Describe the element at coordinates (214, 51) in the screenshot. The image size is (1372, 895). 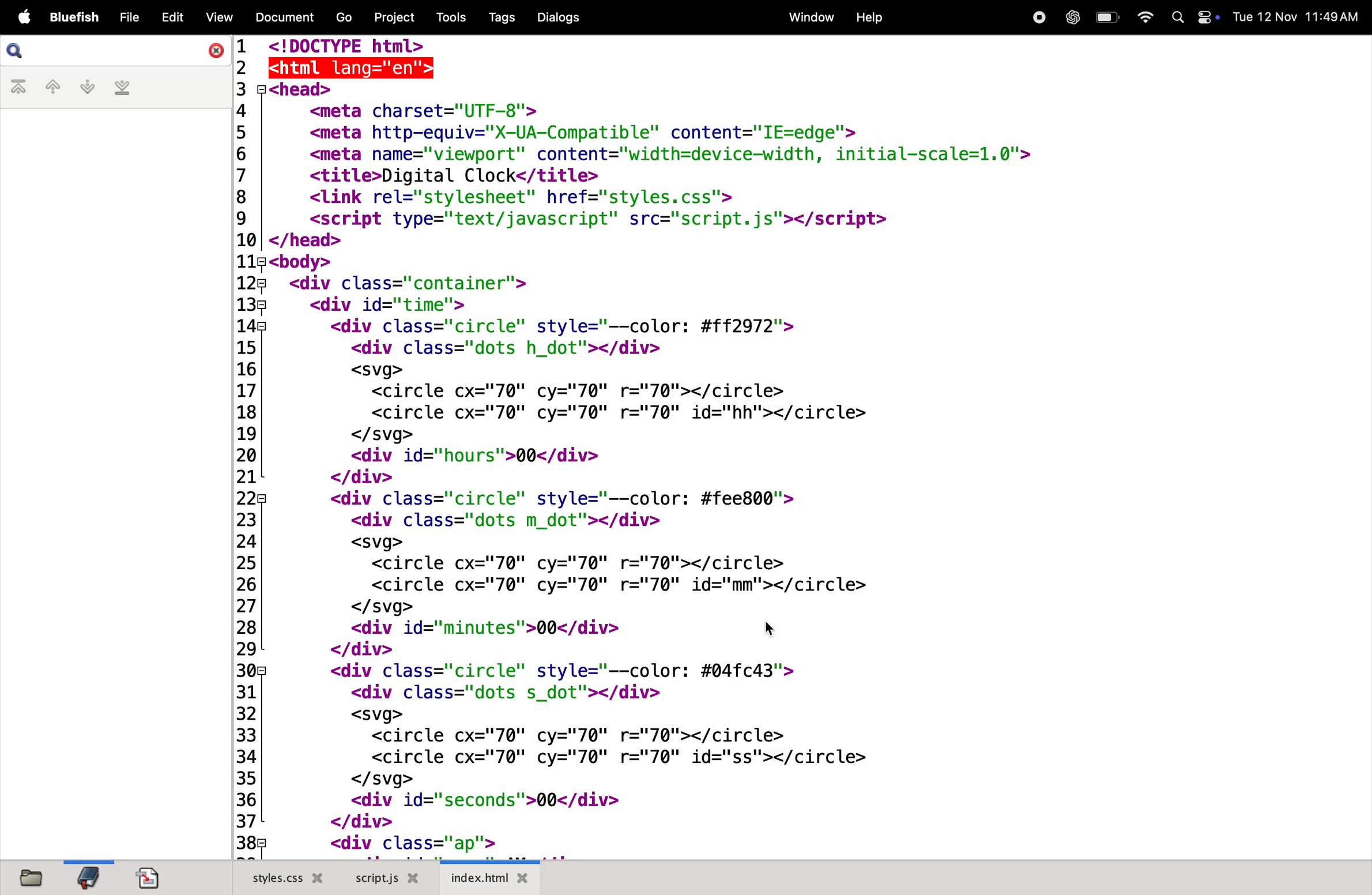
I see `close` at that location.